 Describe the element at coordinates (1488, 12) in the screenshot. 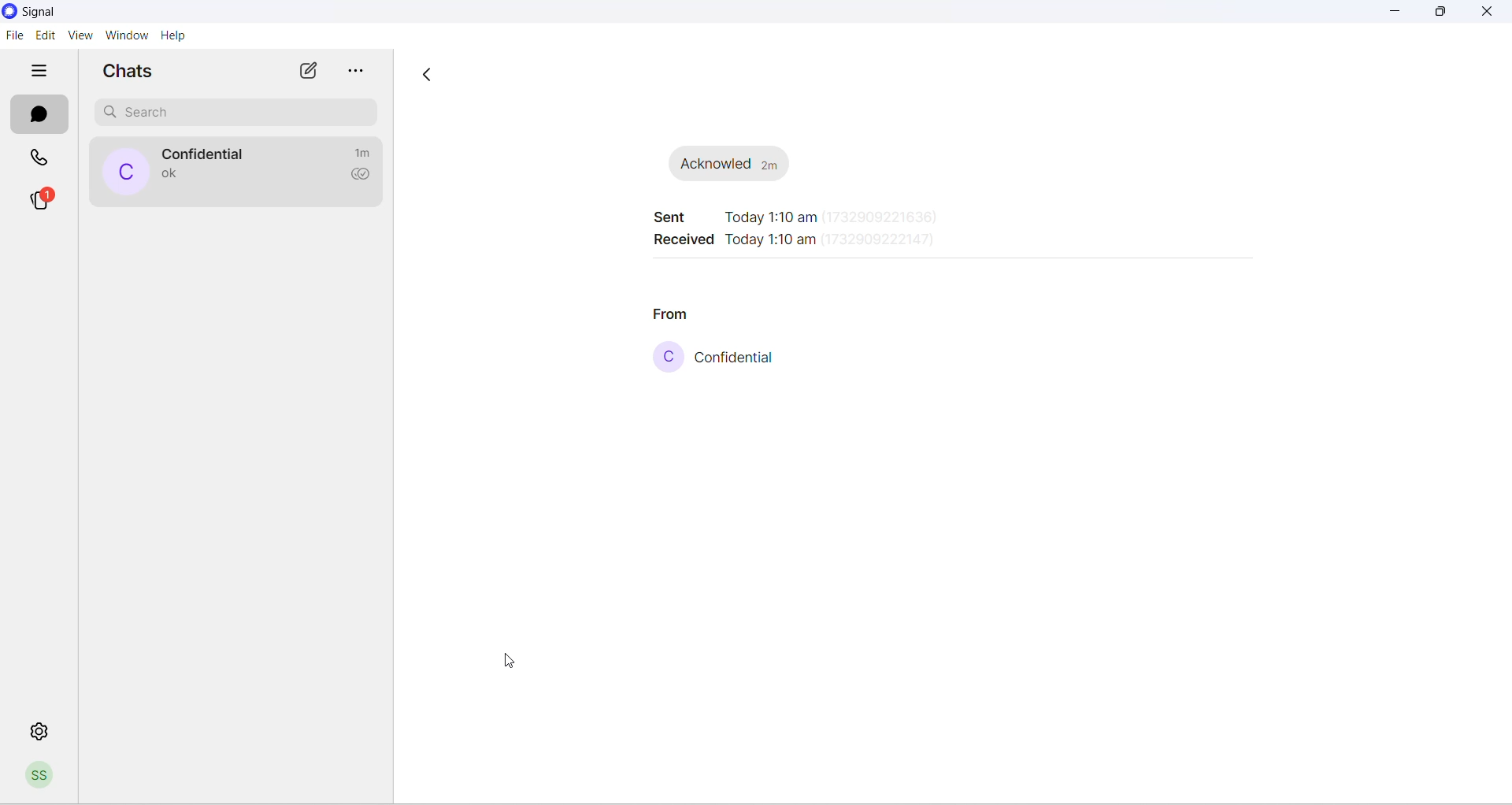

I see `close` at that location.